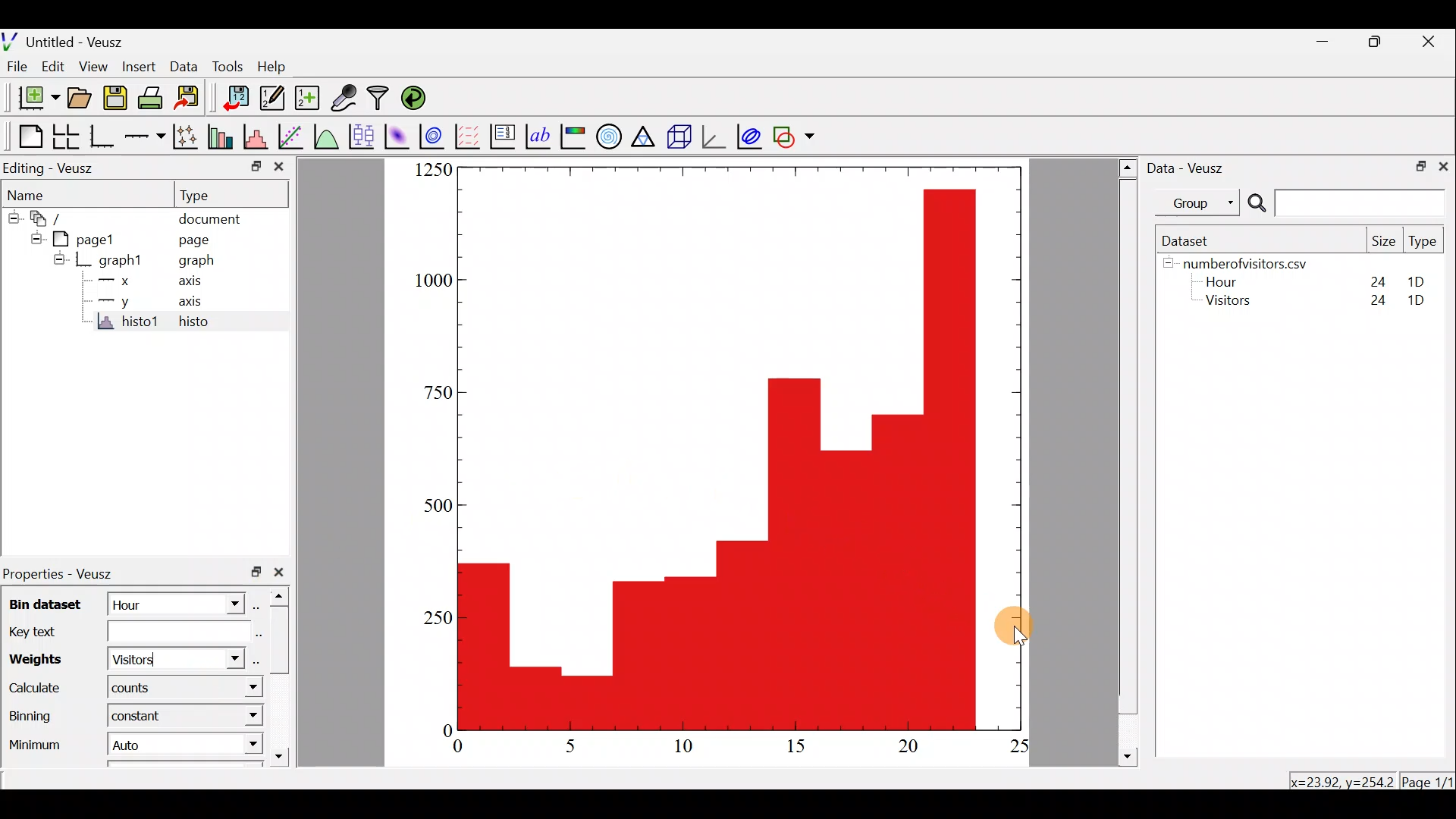 The width and height of the screenshot is (1456, 819). Describe the element at coordinates (78, 98) in the screenshot. I see `open a document` at that location.